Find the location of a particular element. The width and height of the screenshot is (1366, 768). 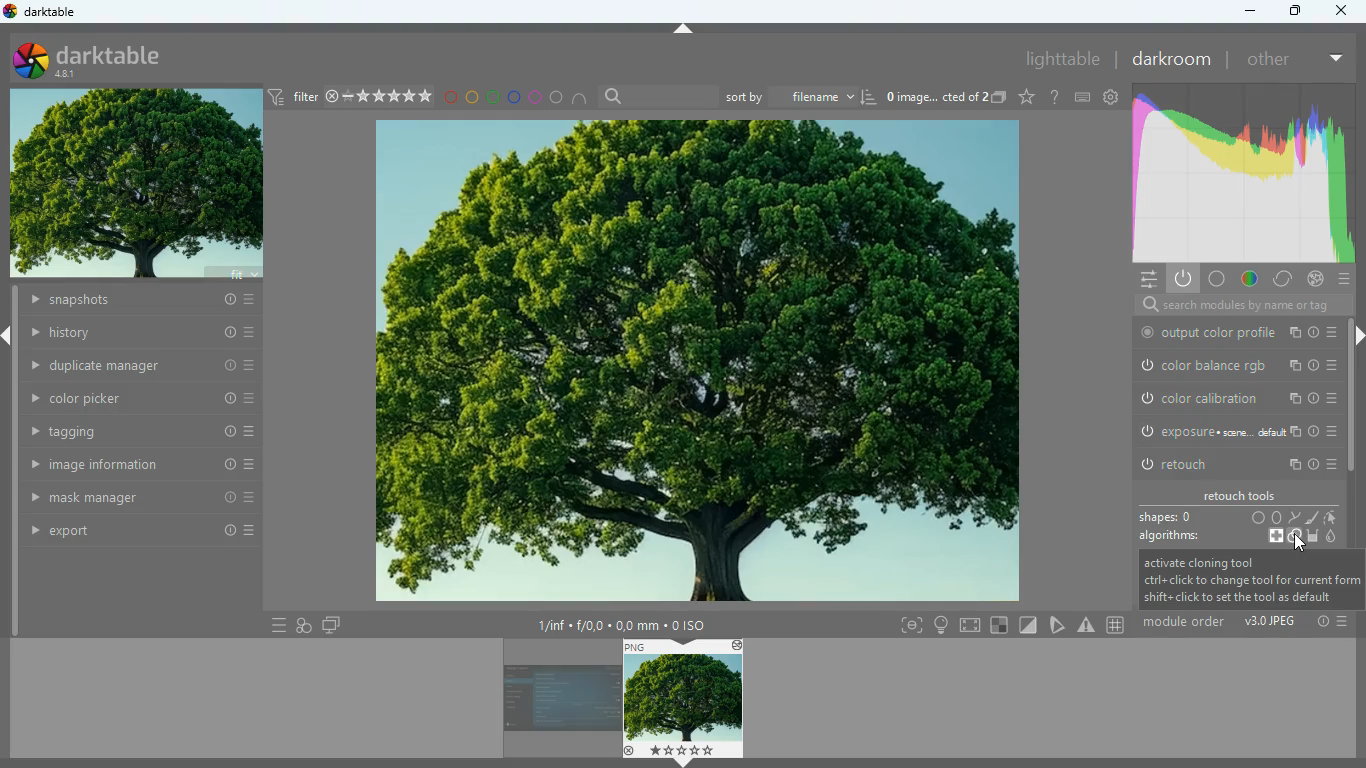

warning is located at coordinates (1087, 625).